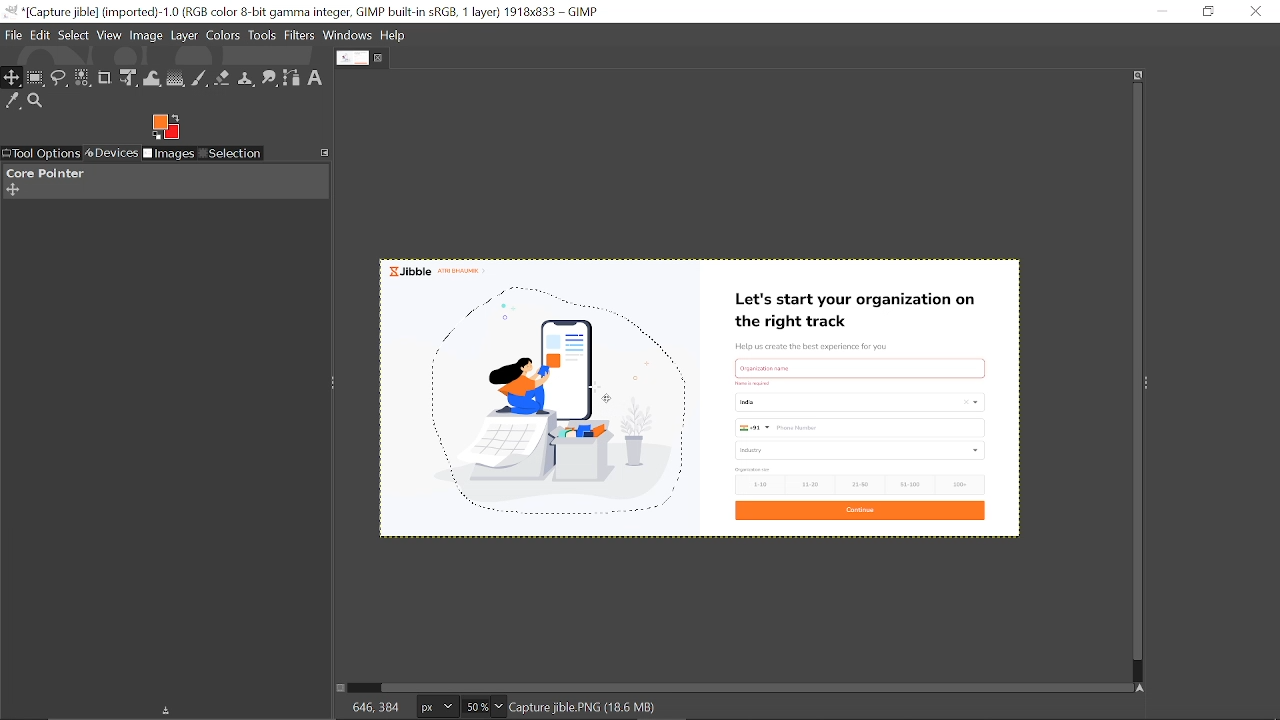 This screenshot has height=720, width=1280. What do you see at coordinates (200, 80) in the screenshot?
I see `Paintbrush tool` at bounding box center [200, 80].